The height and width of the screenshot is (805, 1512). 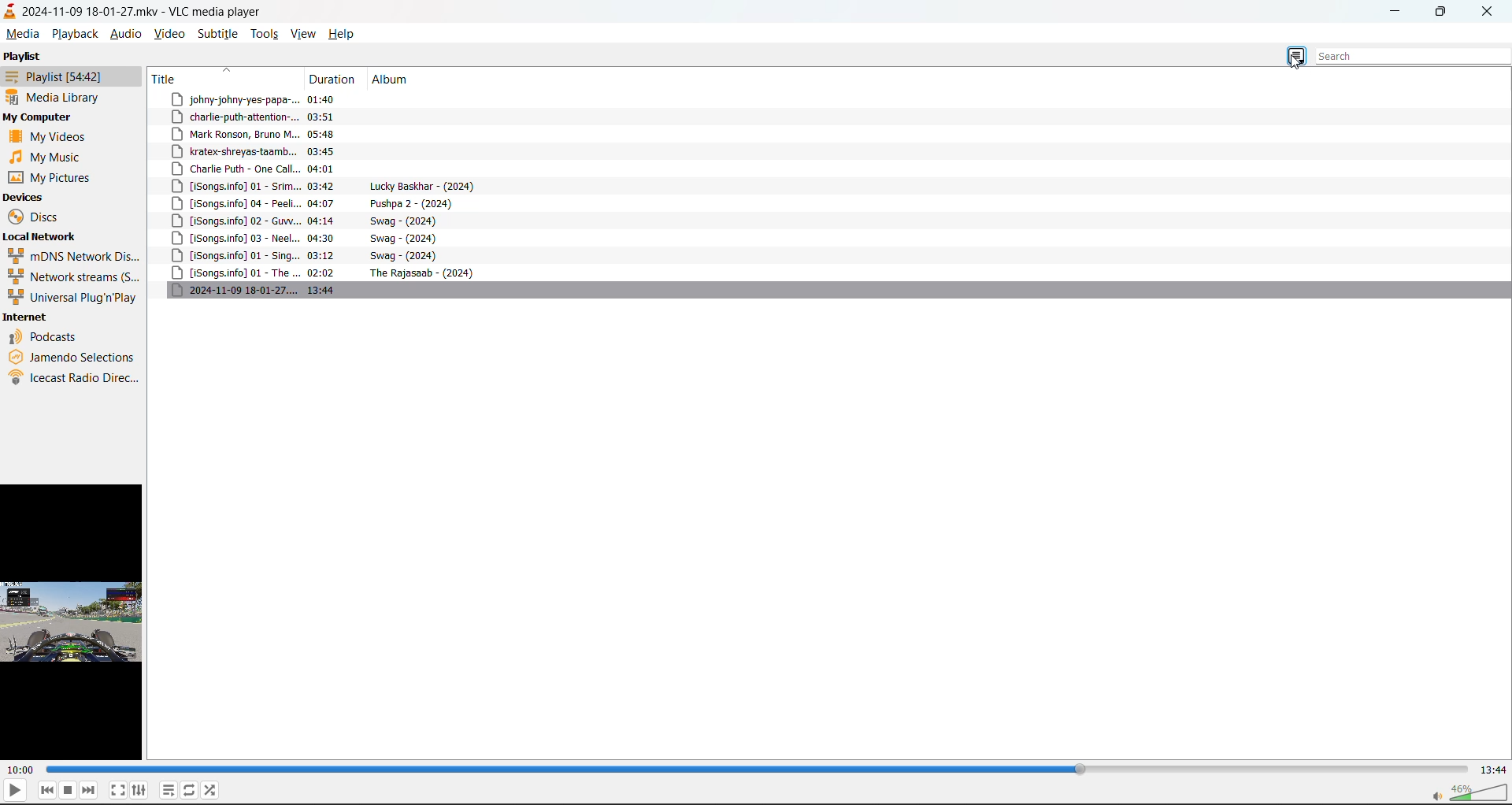 I want to click on icecast, so click(x=73, y=377).